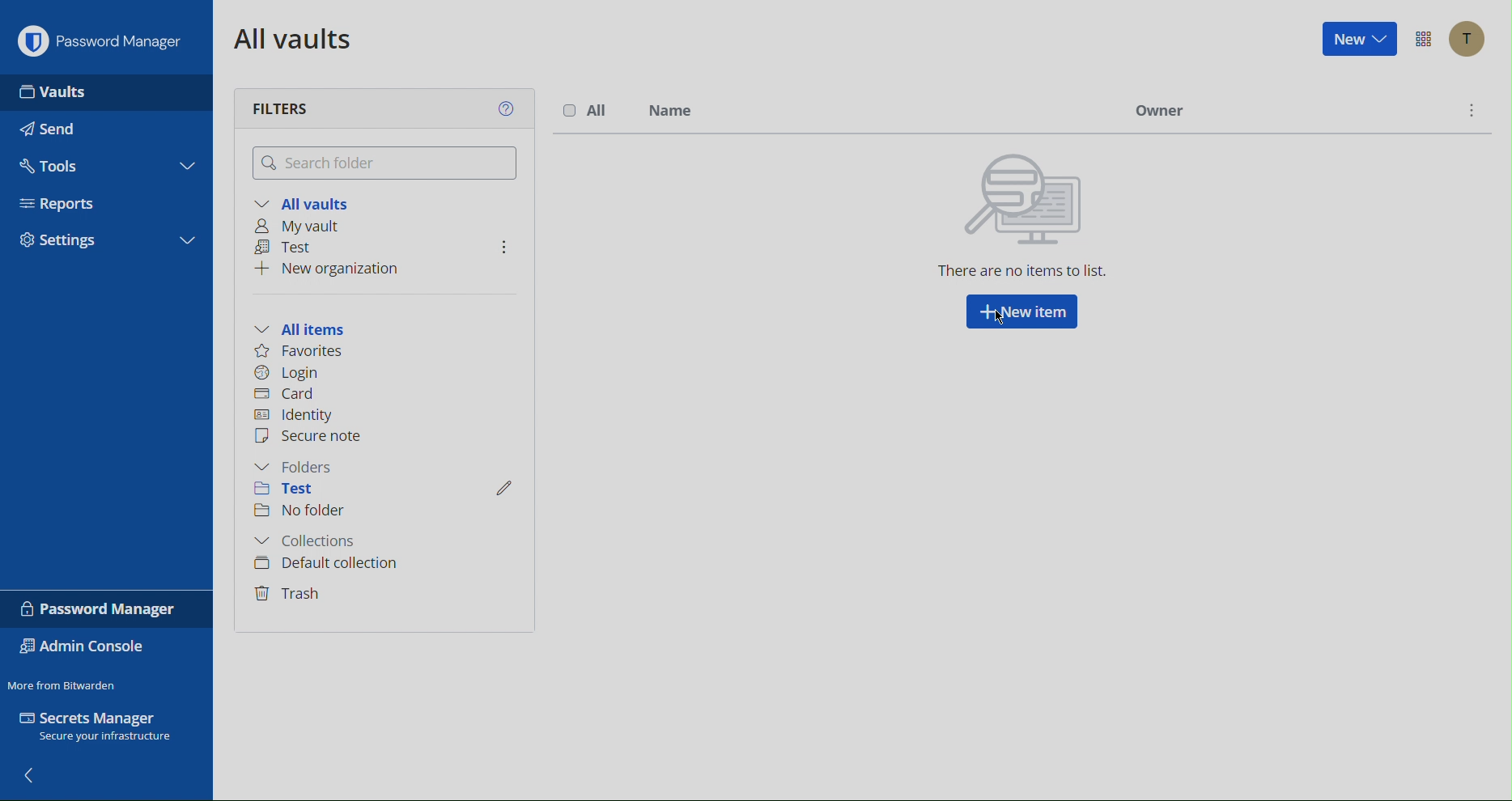 This screenshot has height=801, width=1512. What do you see at coordinates (669, 108) in the screenshot?
I see `Name` at bounding box center [669, 108].